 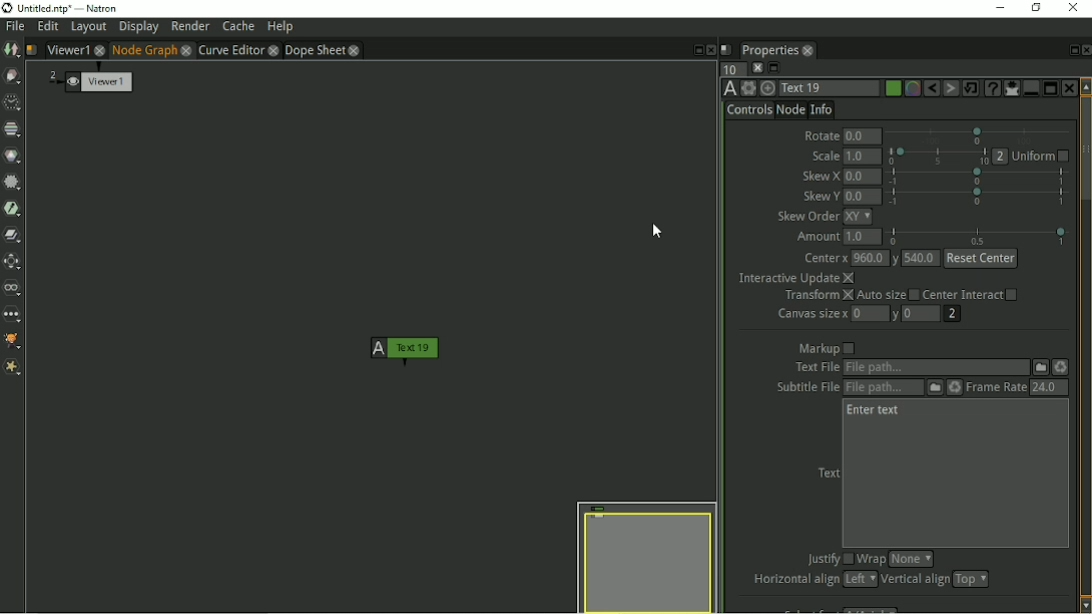 I want to click on selection bar, so click(x=978, y=176).